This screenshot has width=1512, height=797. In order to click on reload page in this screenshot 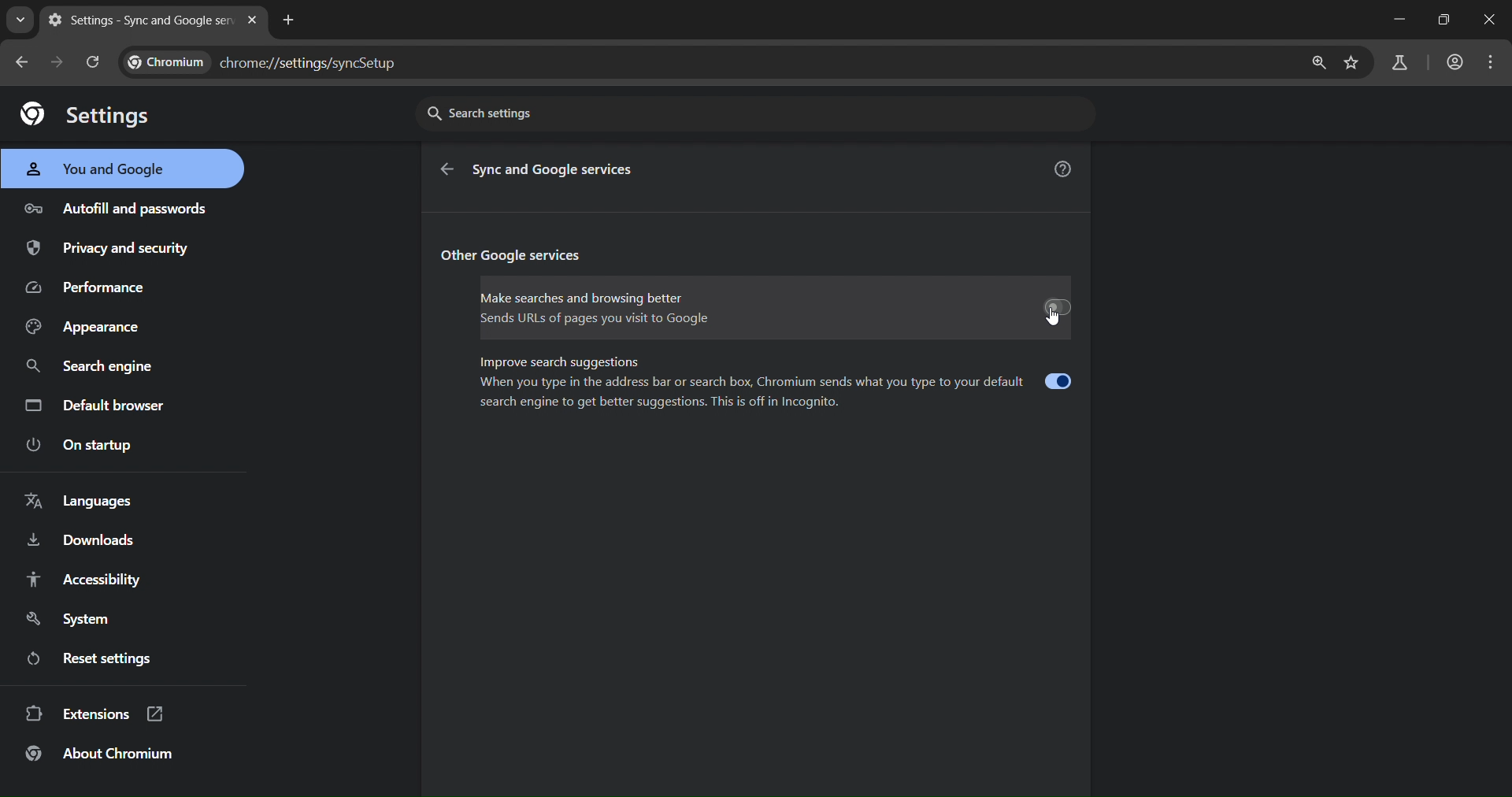, I will do `click(95, 61)`.